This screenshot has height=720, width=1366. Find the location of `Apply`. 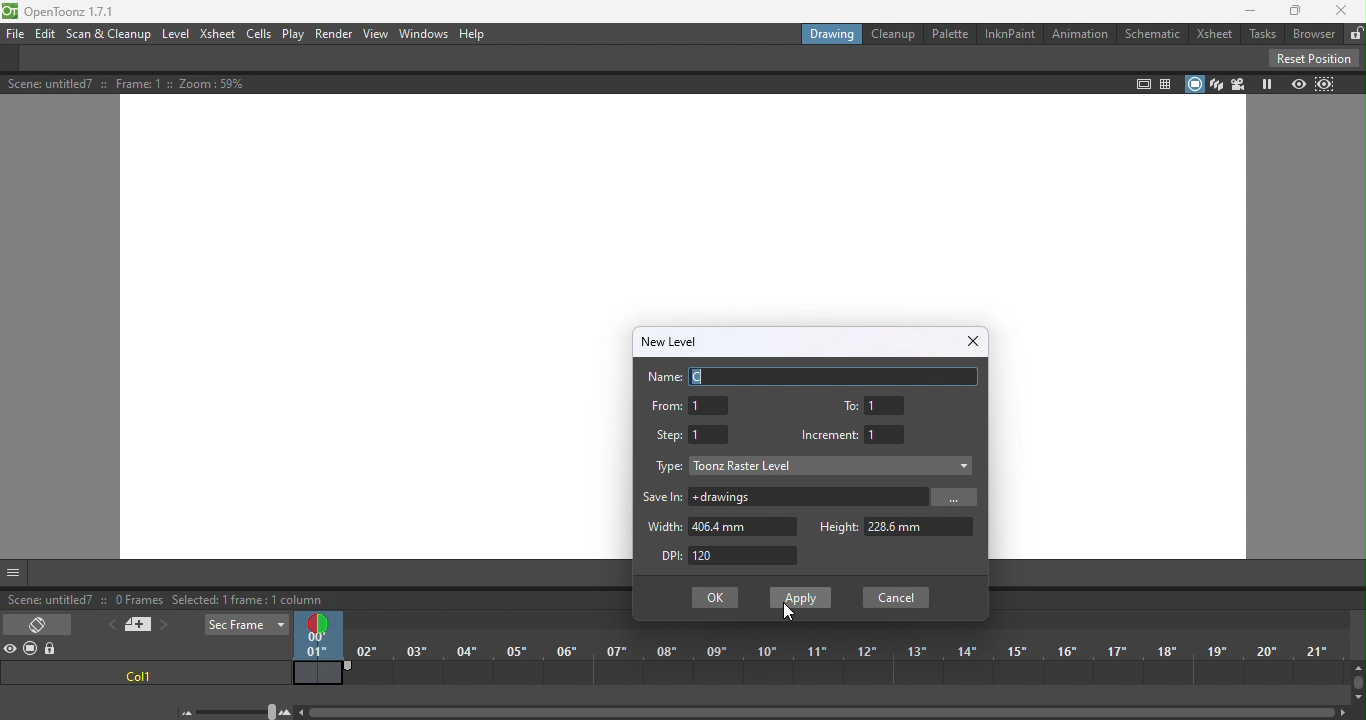

Apply is located at coordinates (799, 595).